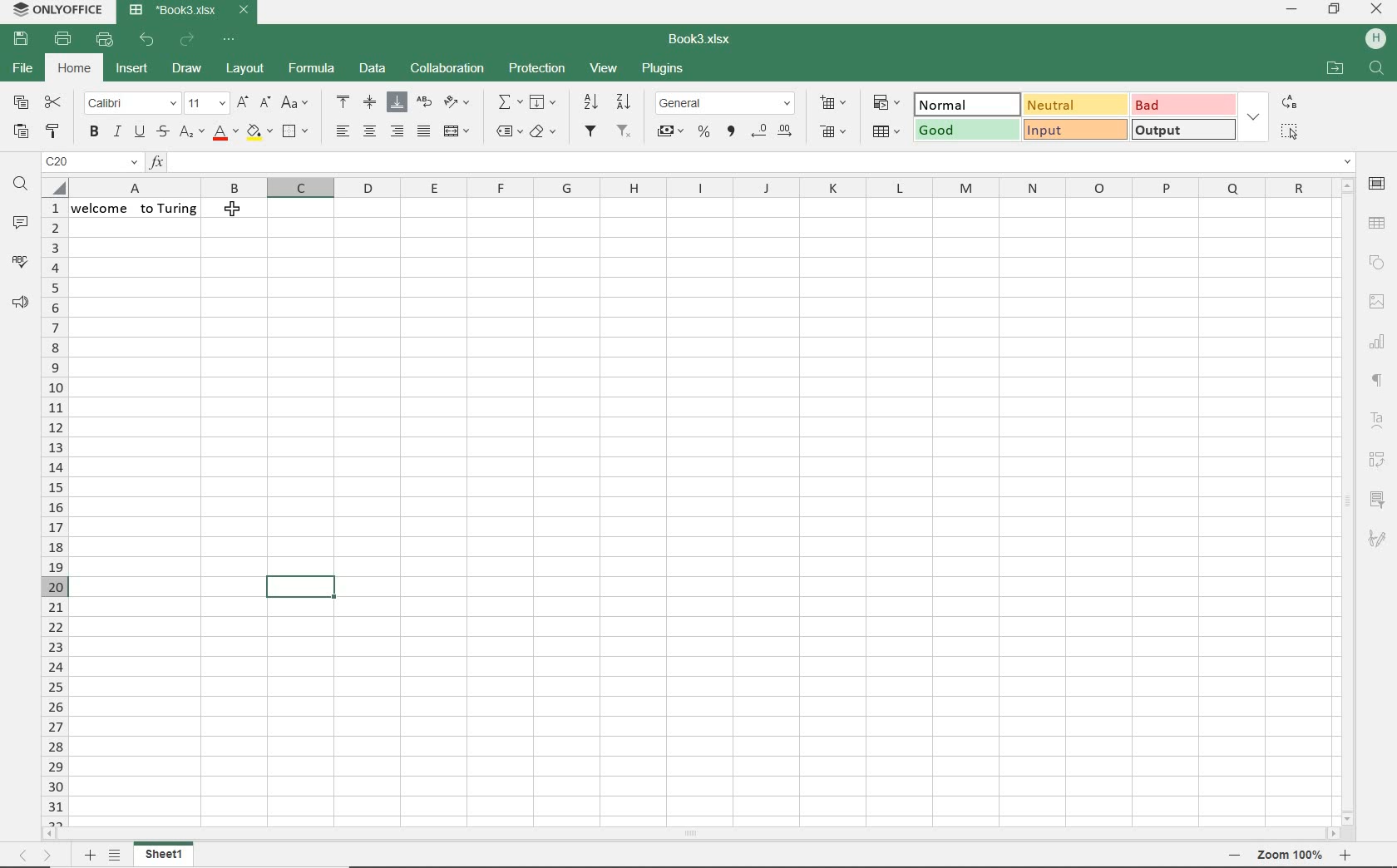 The width and height of the screenshot is (1397, 868). I want to click on table, so click(1378, 225).